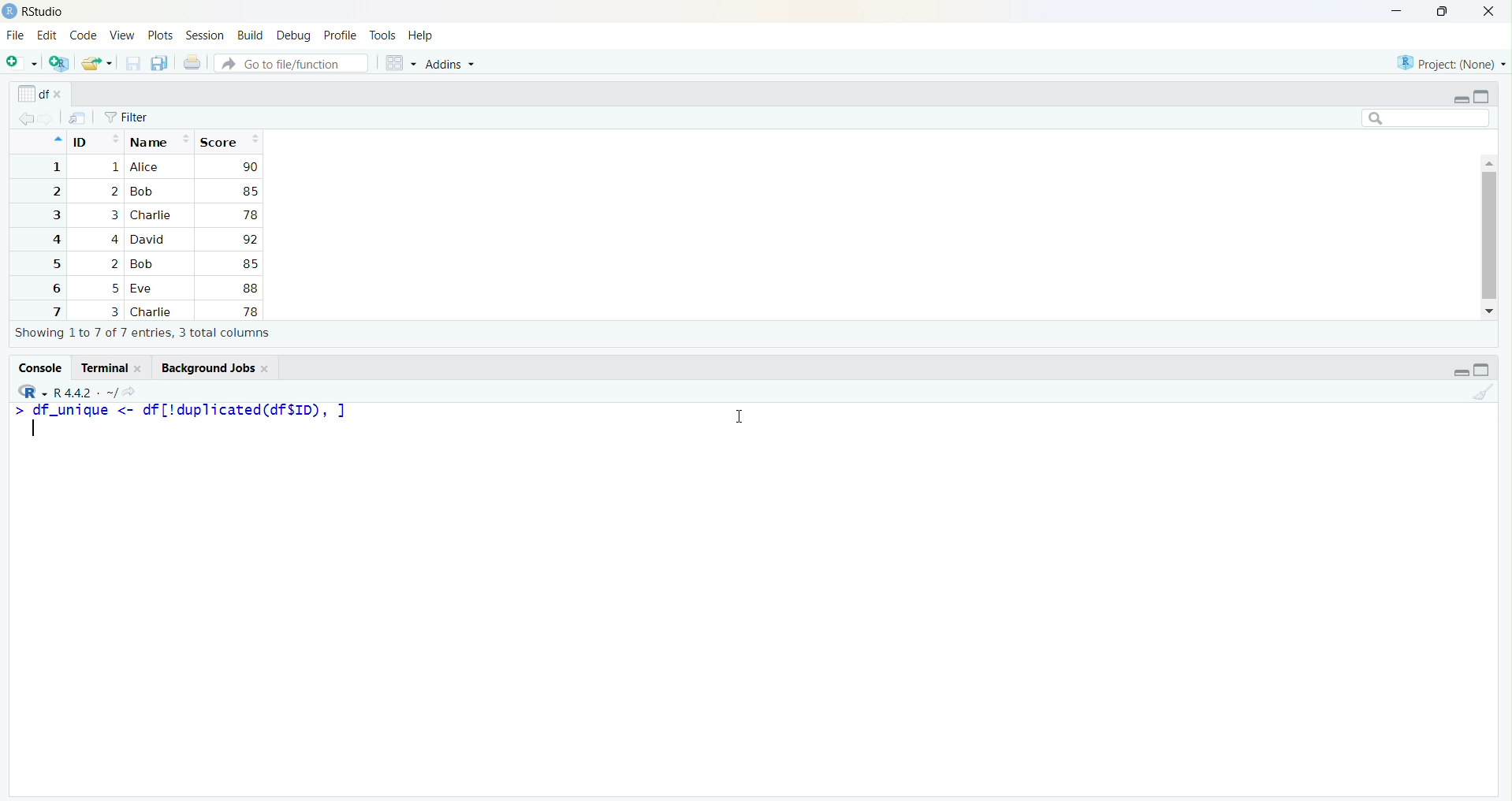  Describe the element at coordinates (161, 36) in the screenshot. I see `Plots` at that location.